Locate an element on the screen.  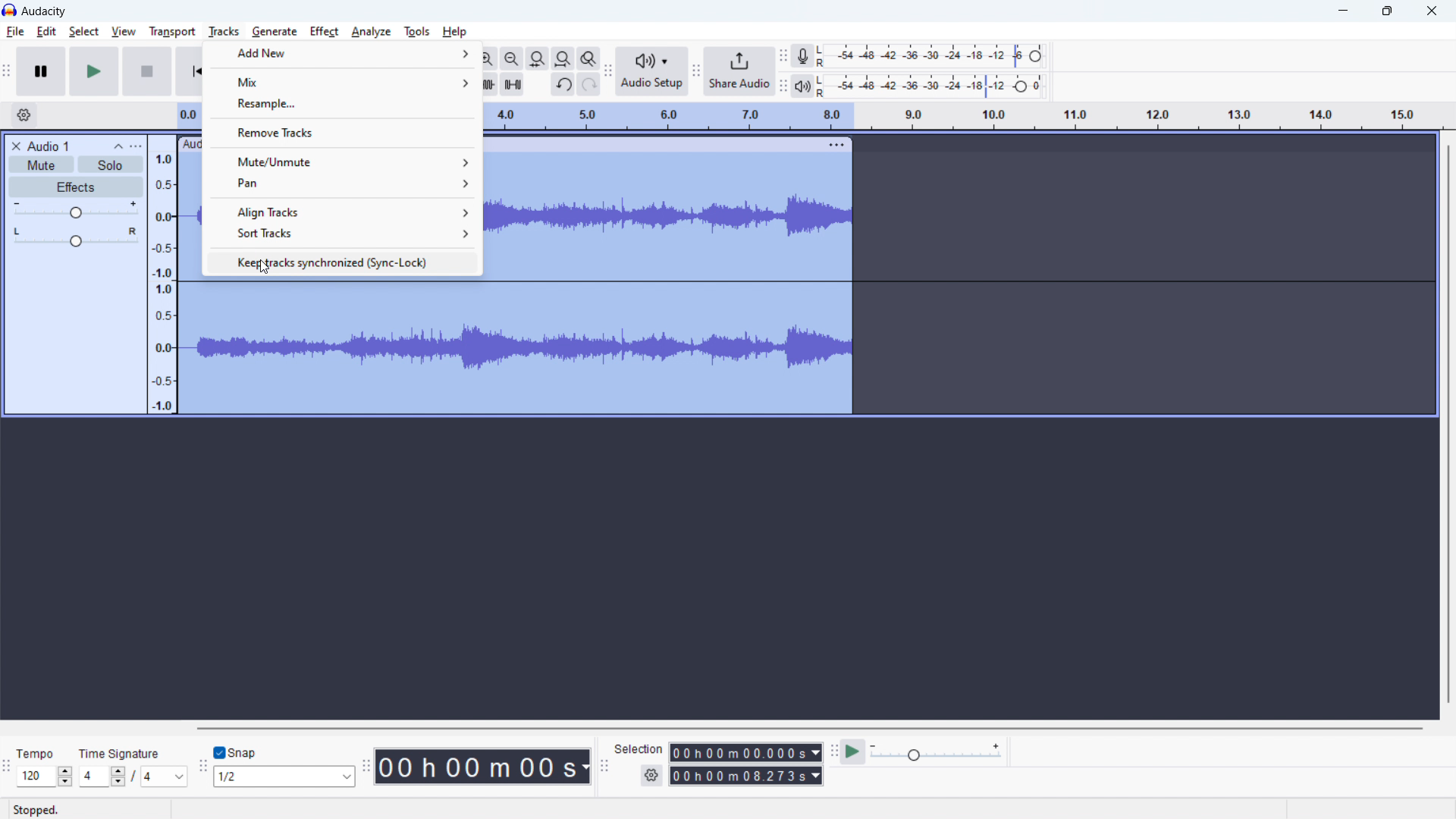
track control panel menu is located at coordinates (136, 146).